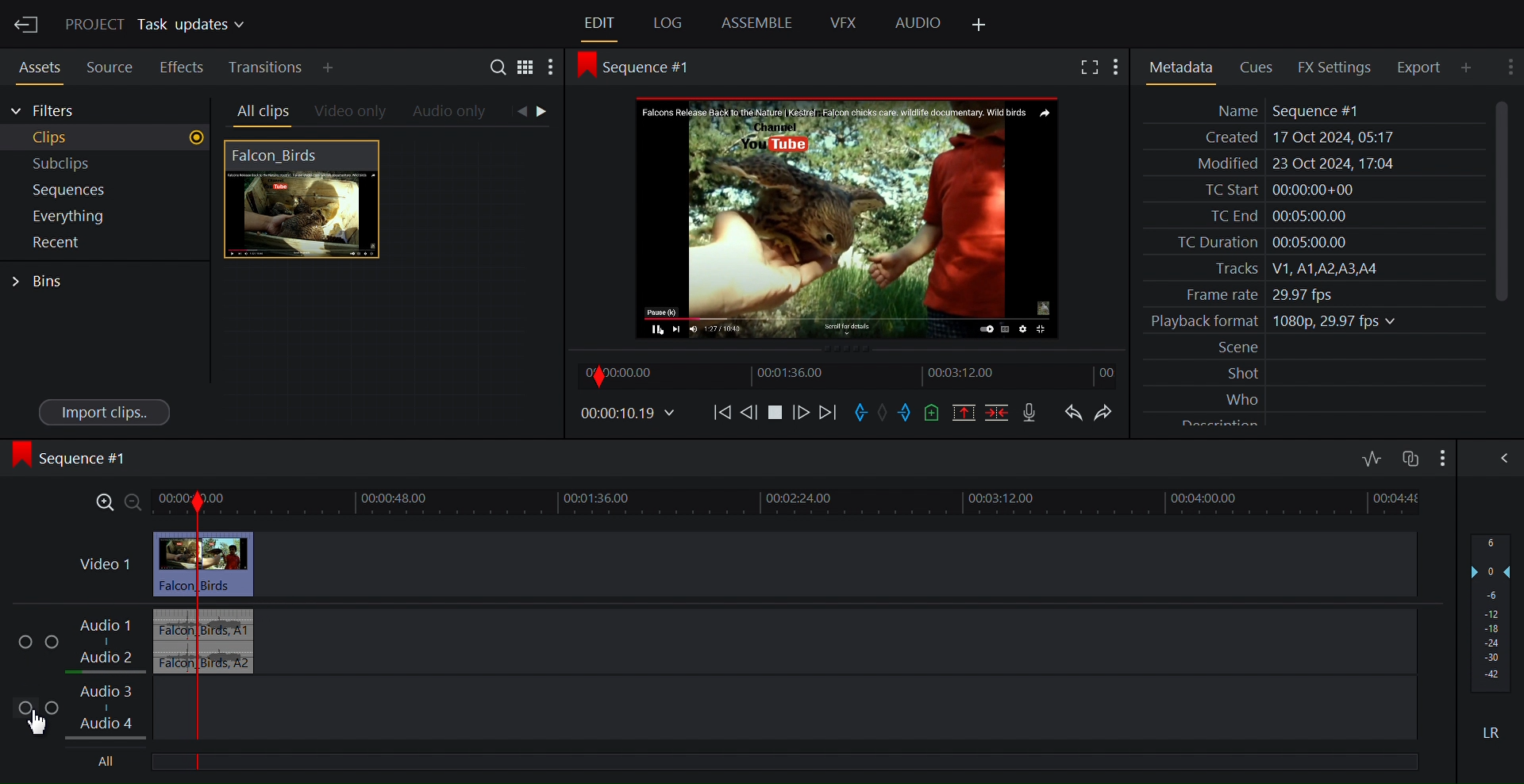 Image resolution: width=1524 pixels, height=784 pixels. What do you see at coordinates (750, 416) in the screenshot?
I see `Nudge one frame forward` at bounding box center [750, 416].